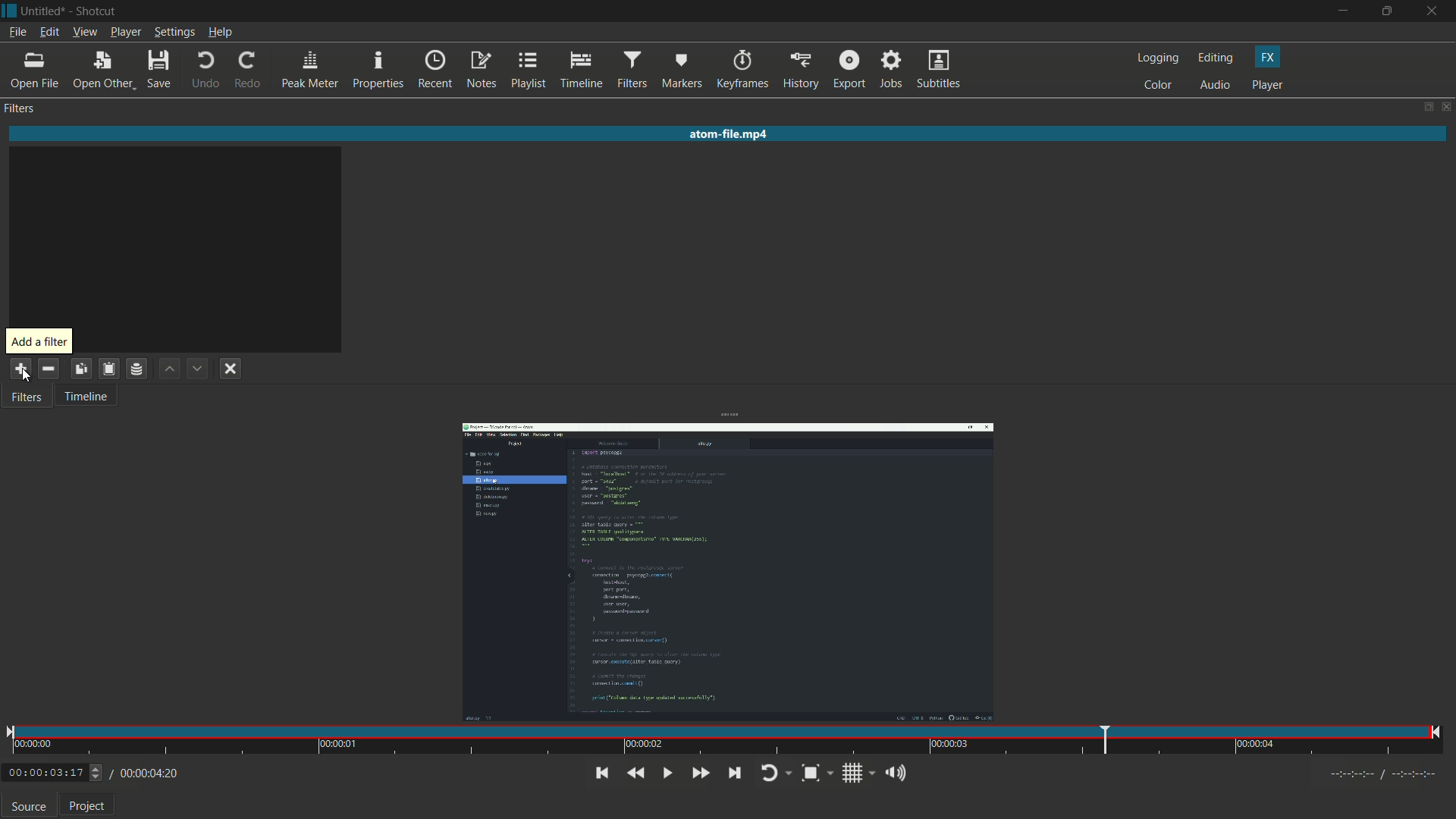 Image resolution: width=1456 pixels, height=819 pixels. What do you see at coordinates (1343, 11) in the screenshot?
I see `minimize` at bounding box center [1343, 11].